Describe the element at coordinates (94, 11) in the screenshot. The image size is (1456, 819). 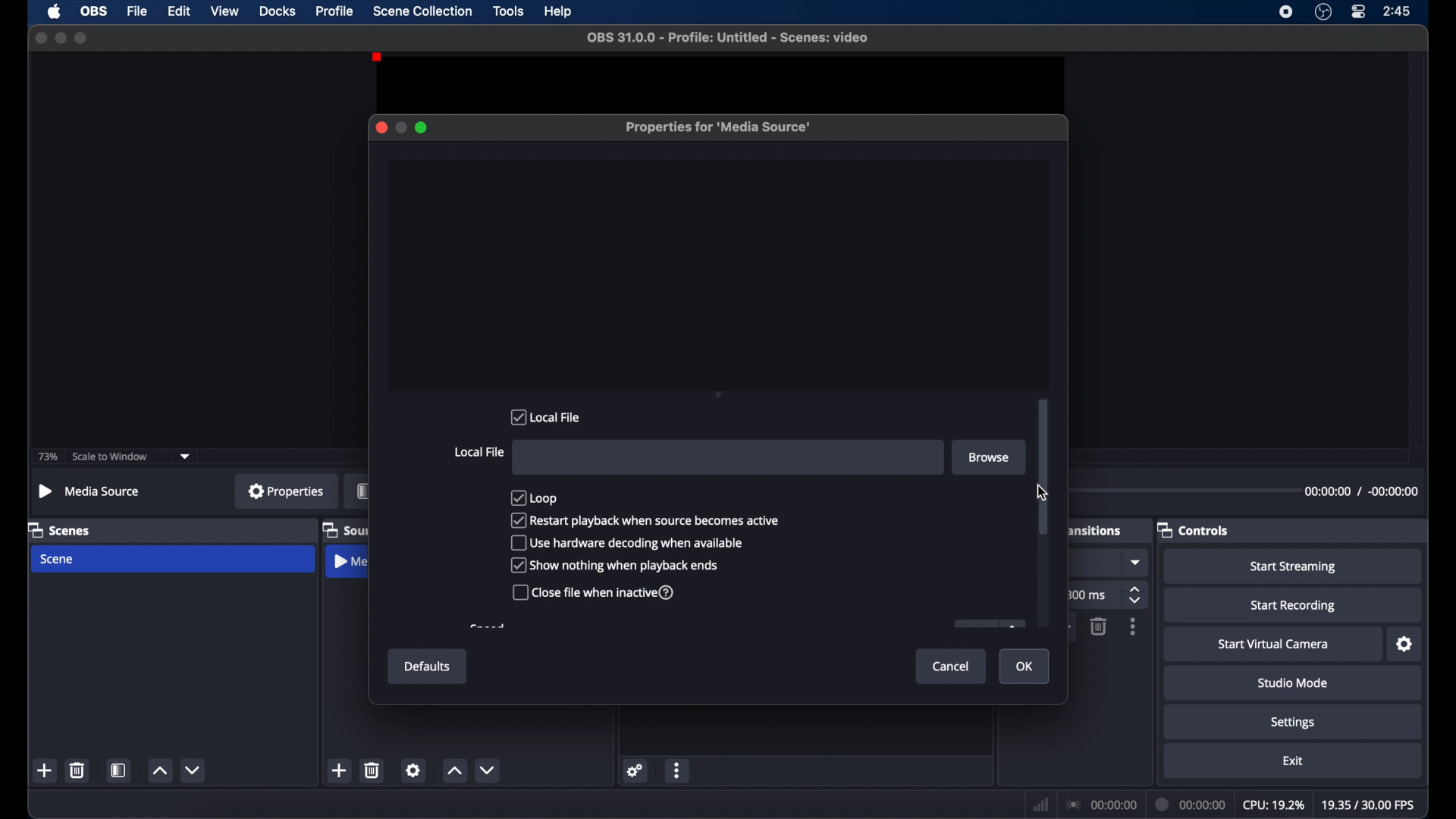
I see `obs` at that location.